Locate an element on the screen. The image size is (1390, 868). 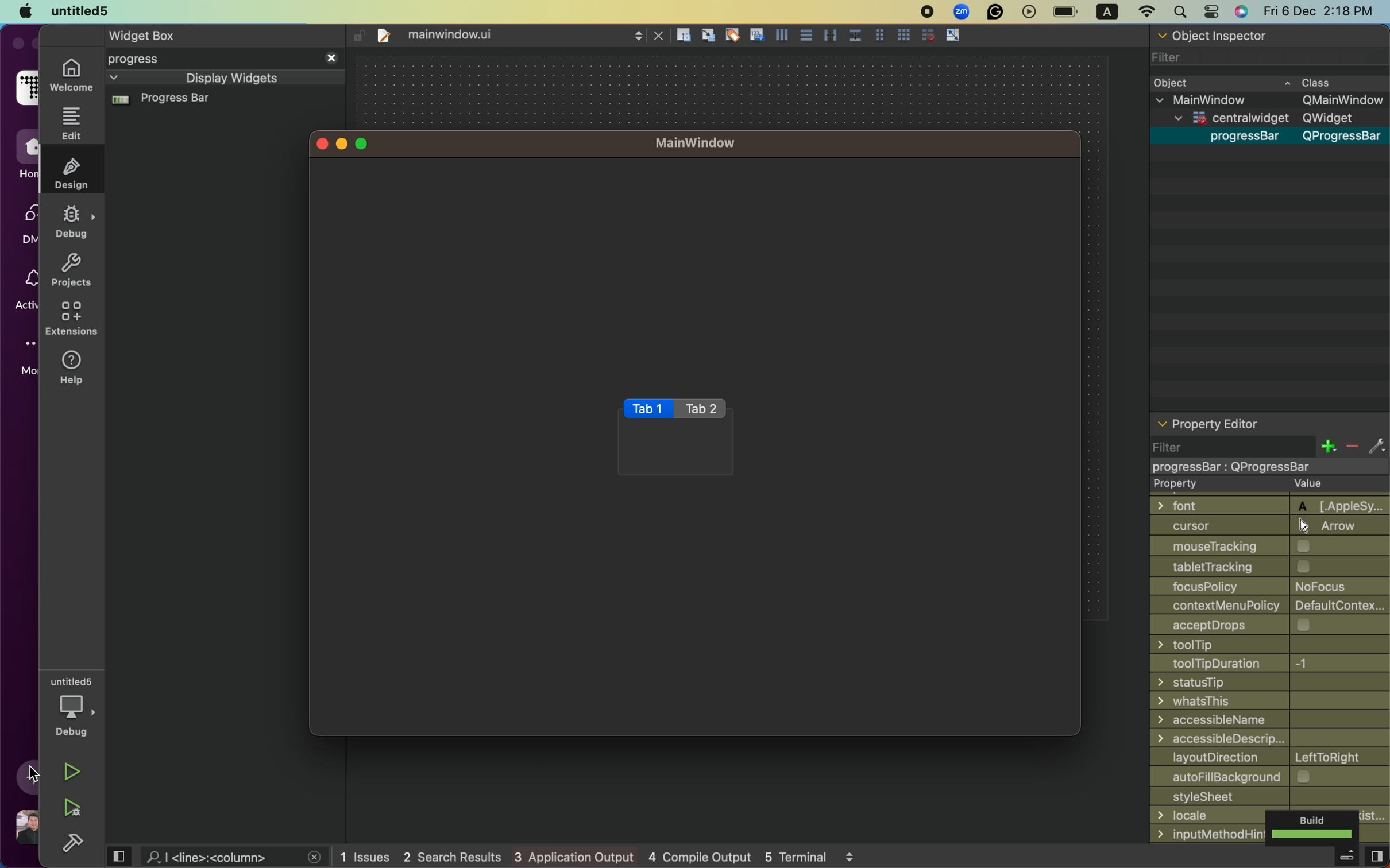
create rectangle is located at coordinates (683, 34).